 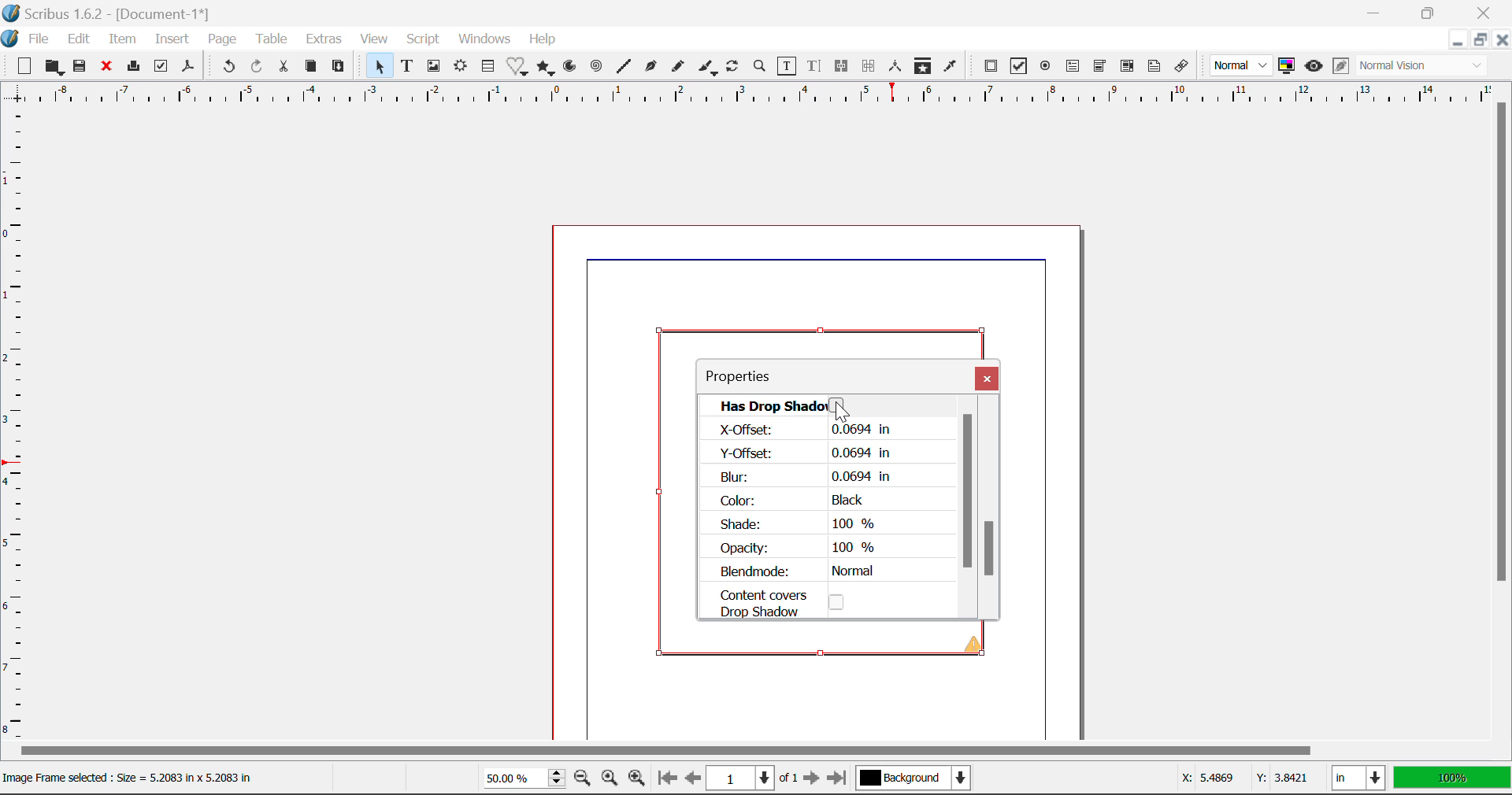 What do you see at coordinates (802, 430) in the screenshot?
I see `| X-Offset: 0.0694 in` at bounding box center [802, 430].